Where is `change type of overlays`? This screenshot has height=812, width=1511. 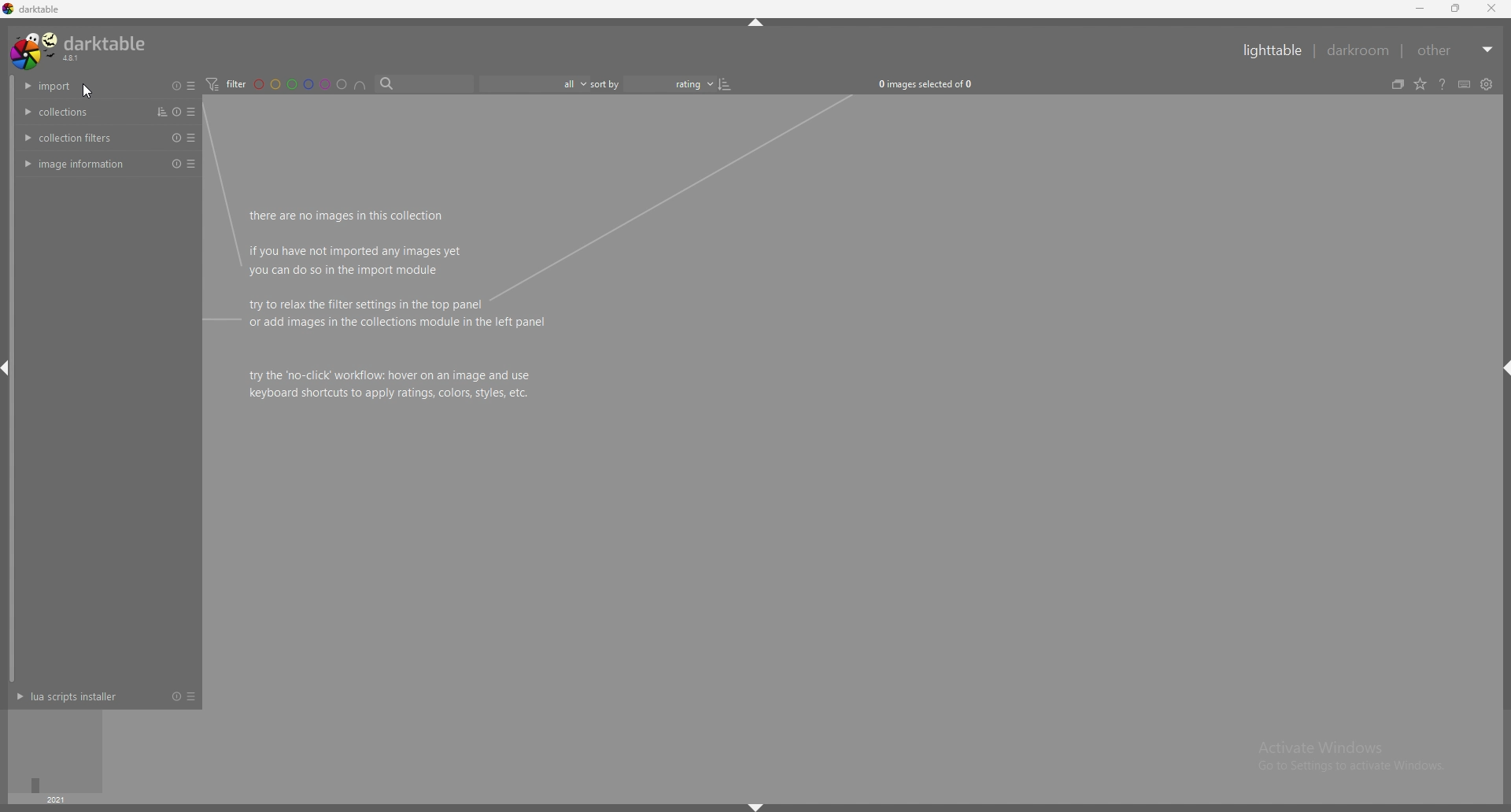
change type of overlays is located at coordinates (1421, 84).